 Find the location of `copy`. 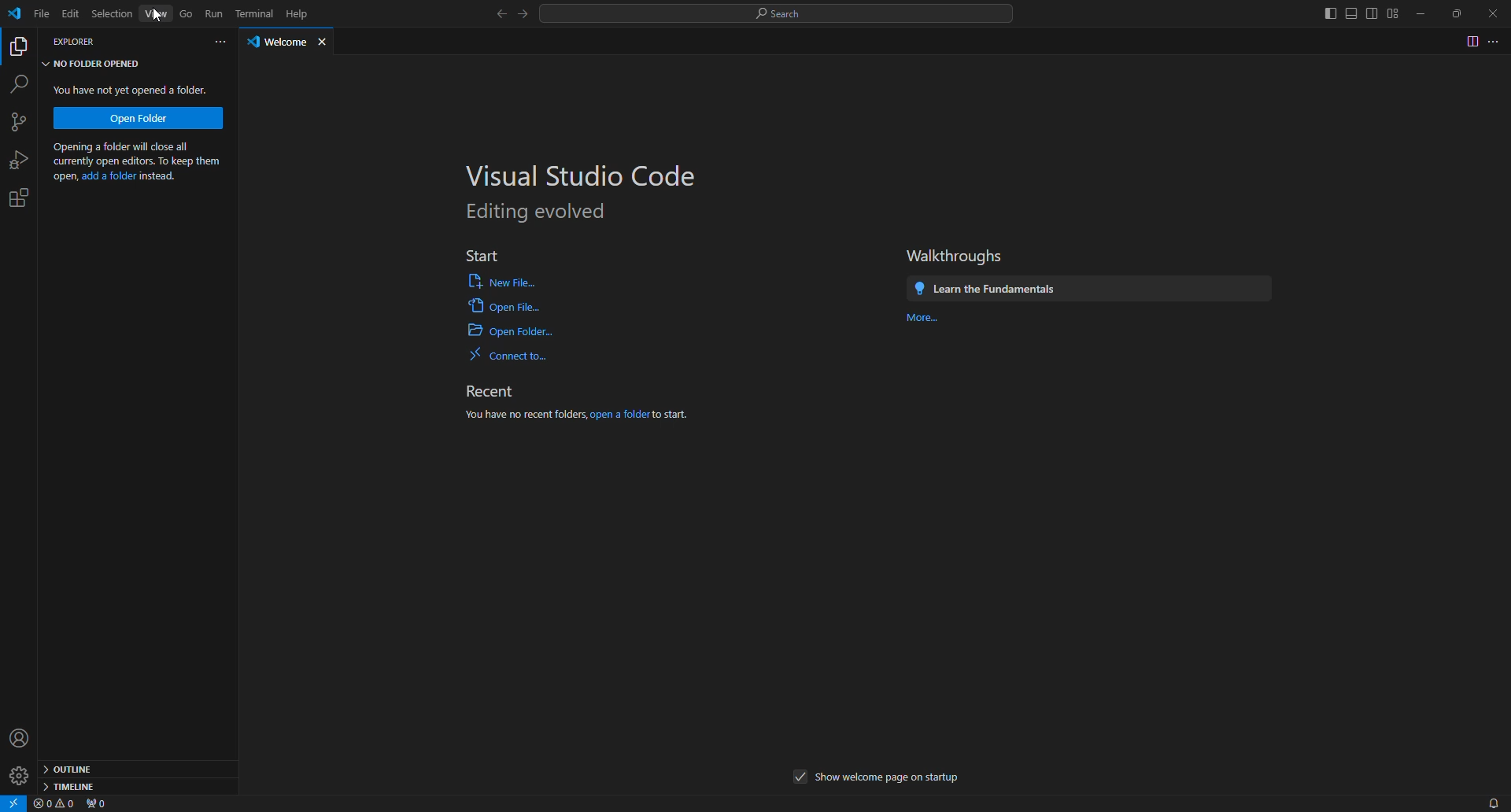

copy is located at coordinates (20, 49).